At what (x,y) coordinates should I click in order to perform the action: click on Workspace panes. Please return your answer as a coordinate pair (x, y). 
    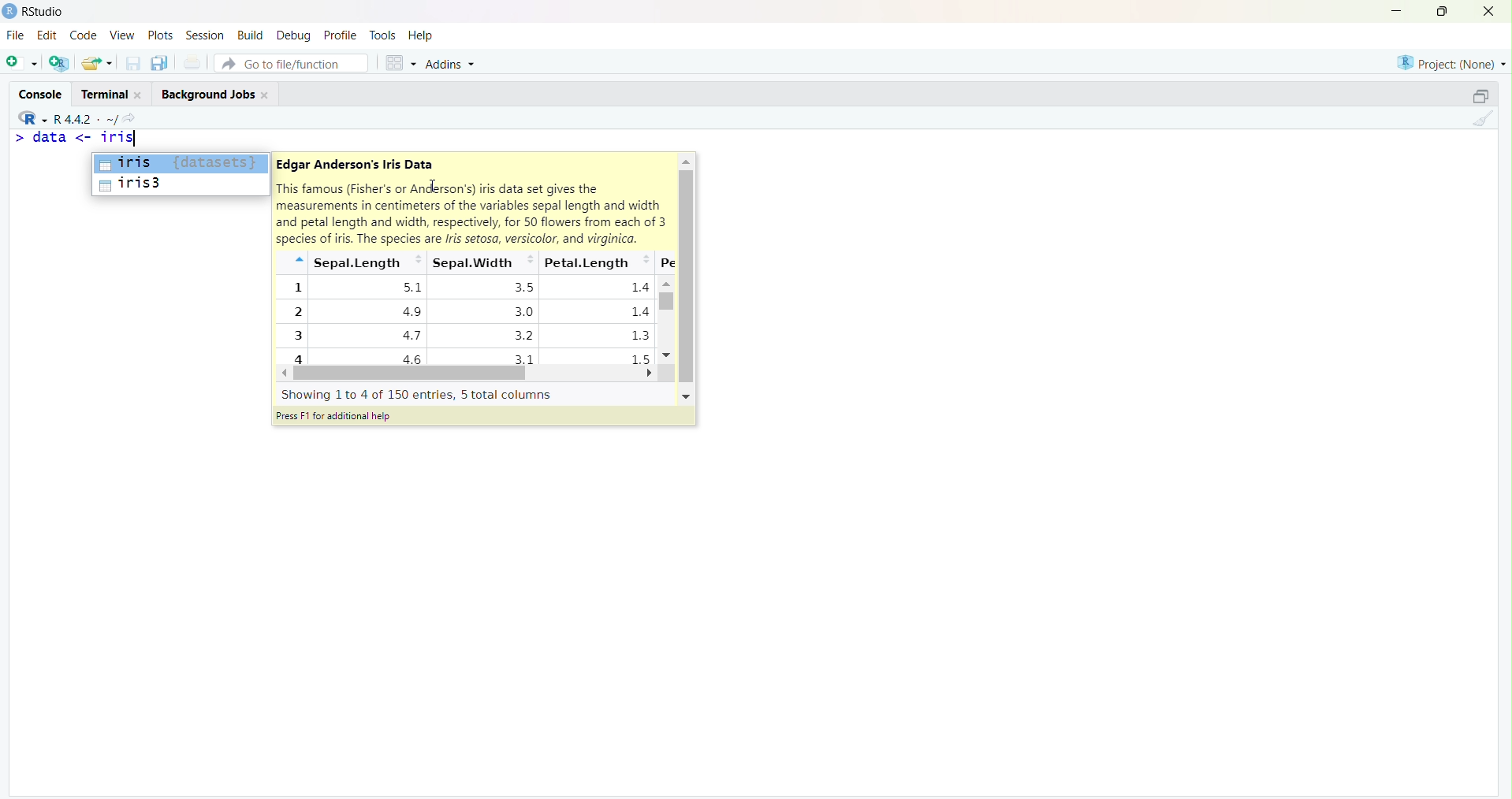
    Looking at the image, I should click on (397, 61).